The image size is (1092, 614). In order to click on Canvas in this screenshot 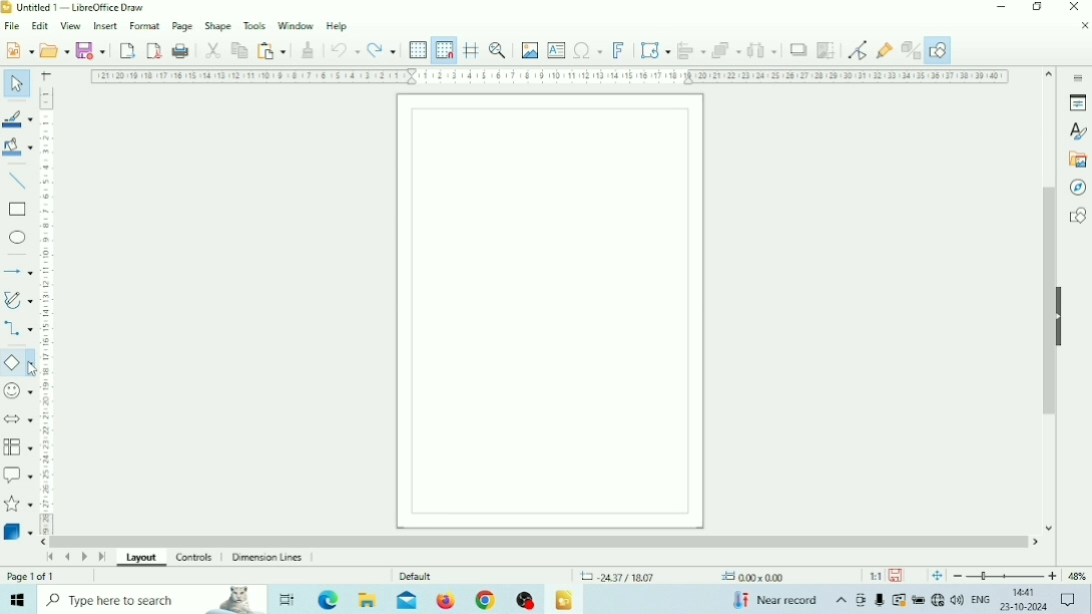, I will do `click(551, 311)`.